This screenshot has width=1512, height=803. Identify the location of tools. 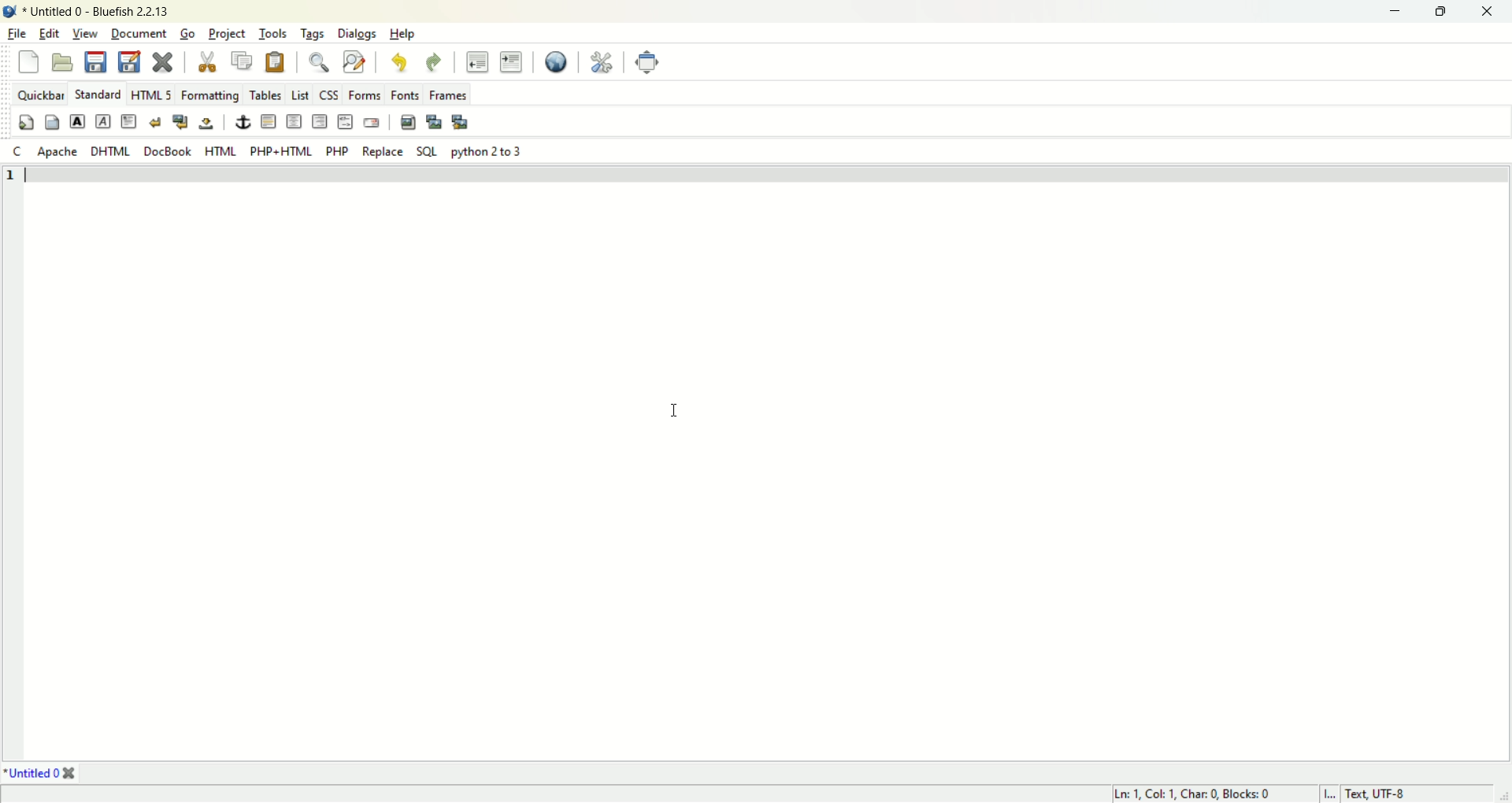
(270, 34).